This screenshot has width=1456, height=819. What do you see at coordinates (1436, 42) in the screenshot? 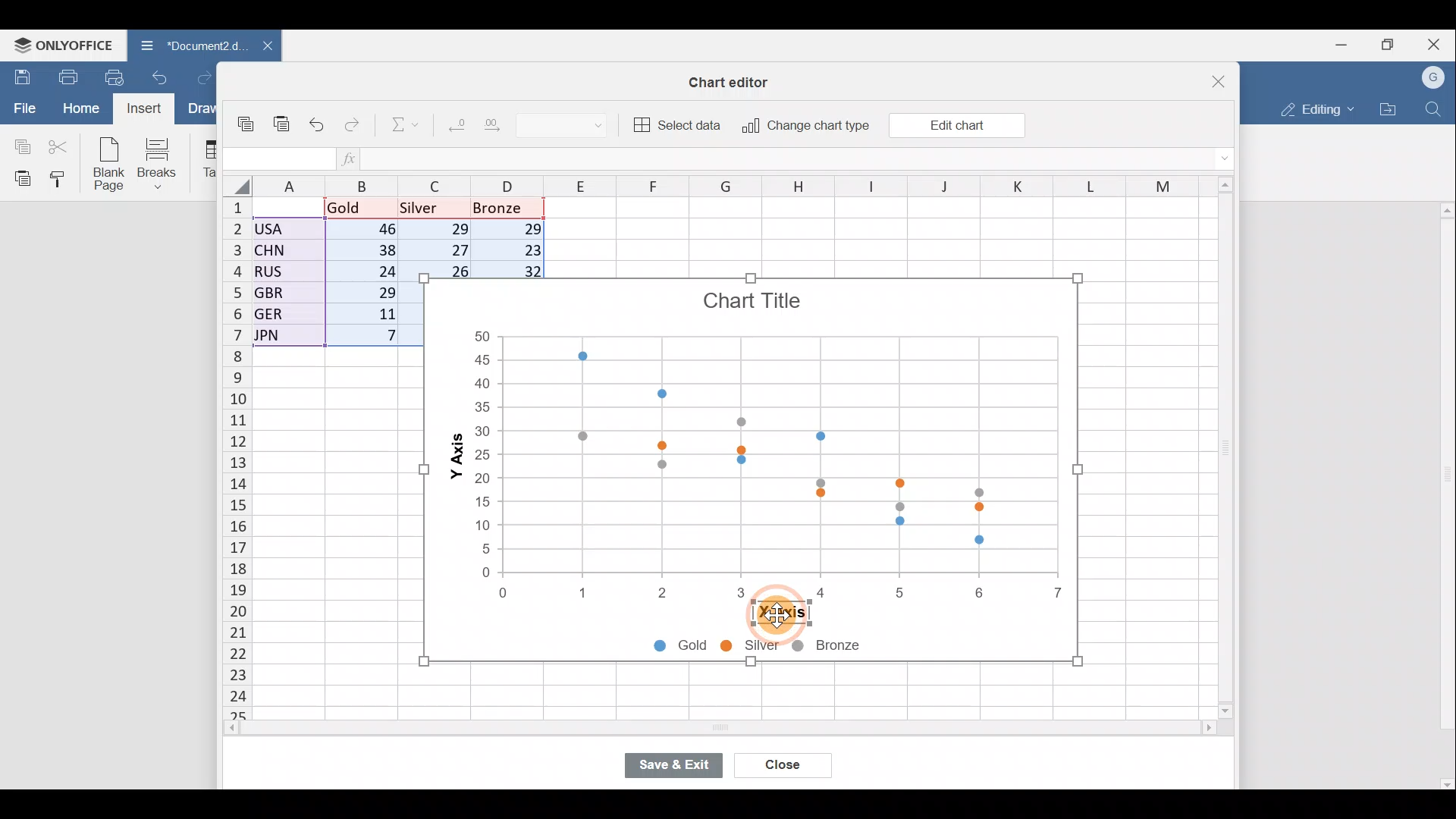
I see `Close` at bounding box center [1436, 42].